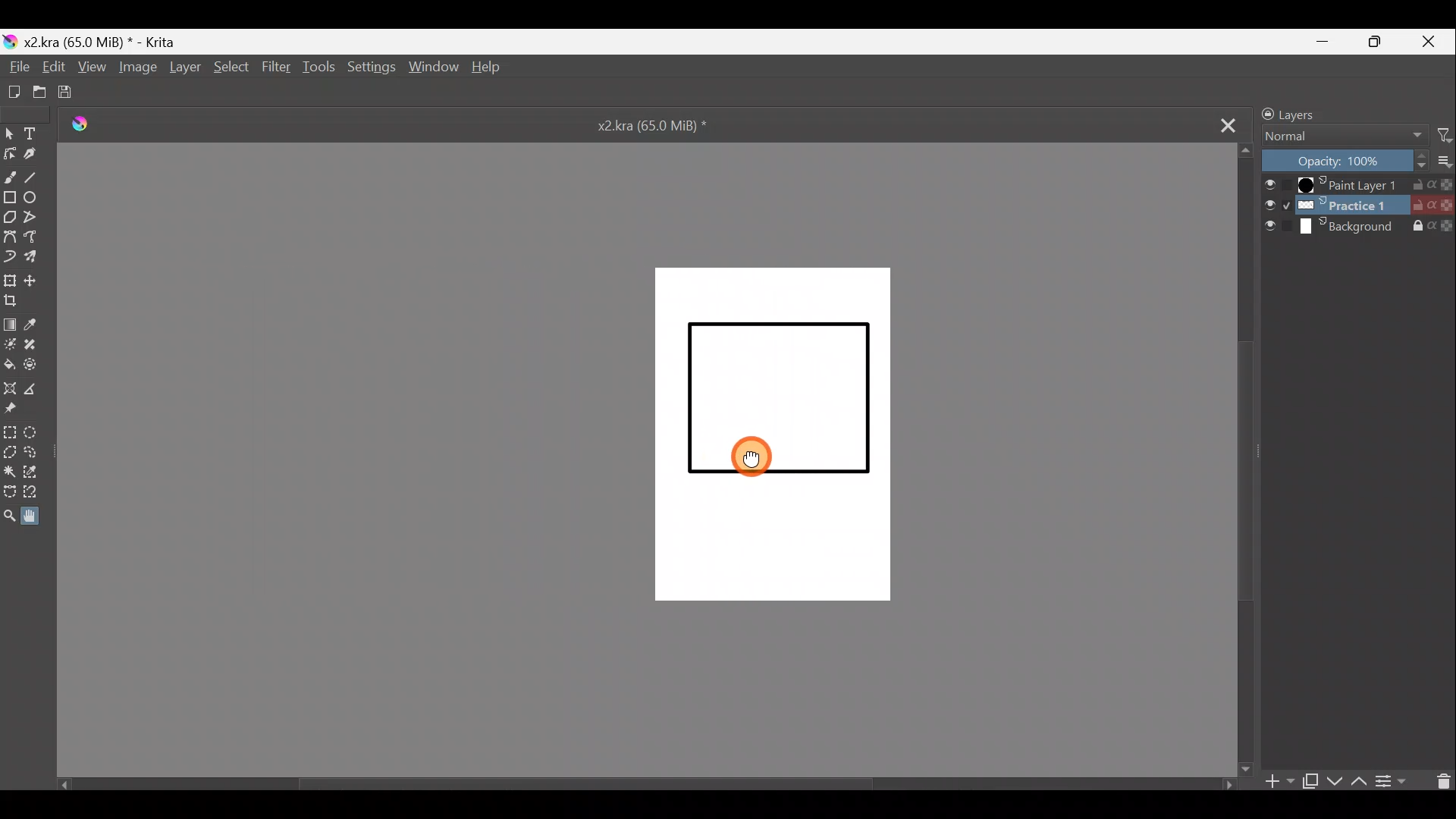 This screenshot has width=1456, height=819. I want to click on Zoom tool, so click(11, 516).